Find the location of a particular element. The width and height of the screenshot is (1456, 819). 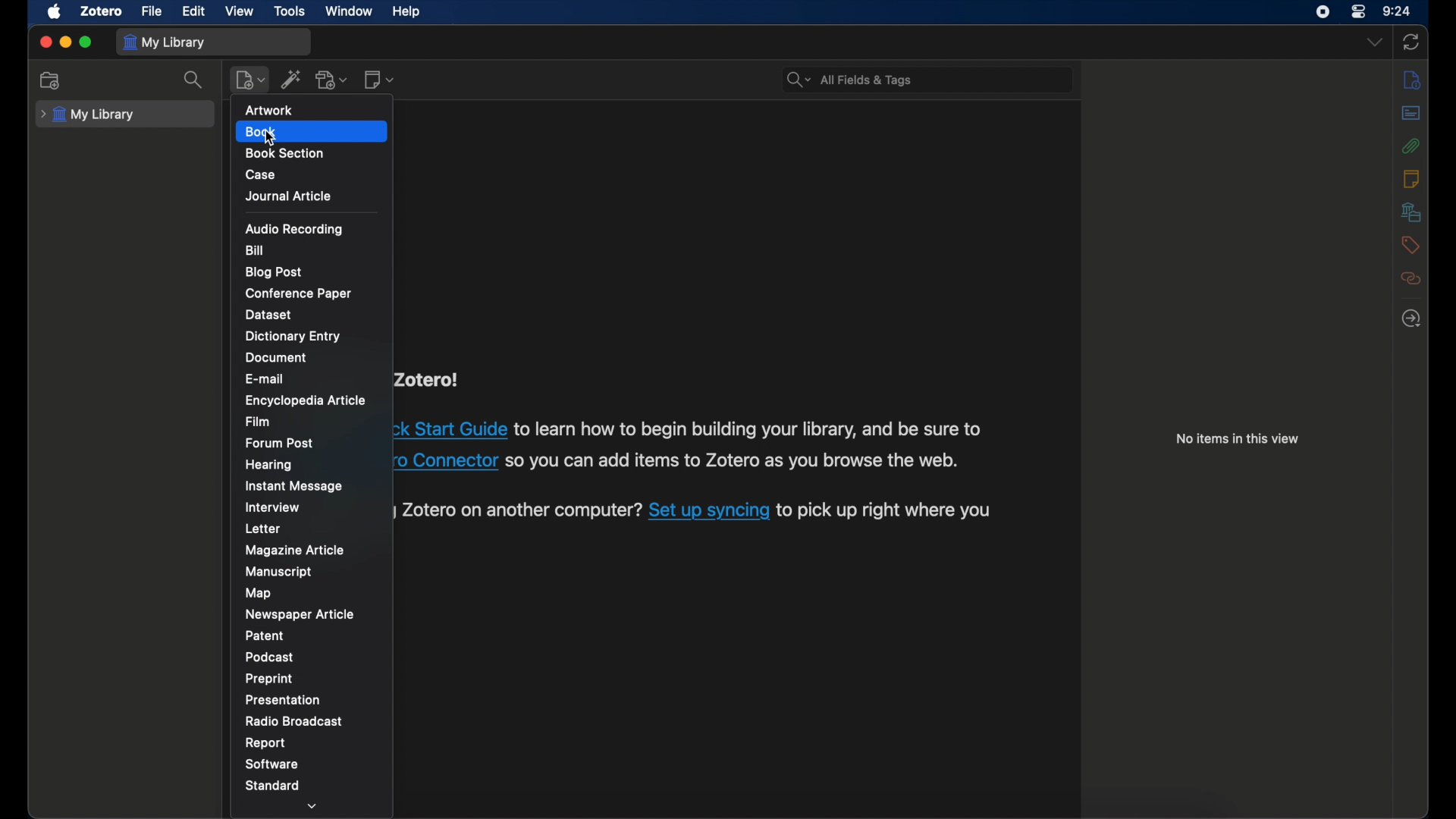

instant message is located at coordinates (294, 485).